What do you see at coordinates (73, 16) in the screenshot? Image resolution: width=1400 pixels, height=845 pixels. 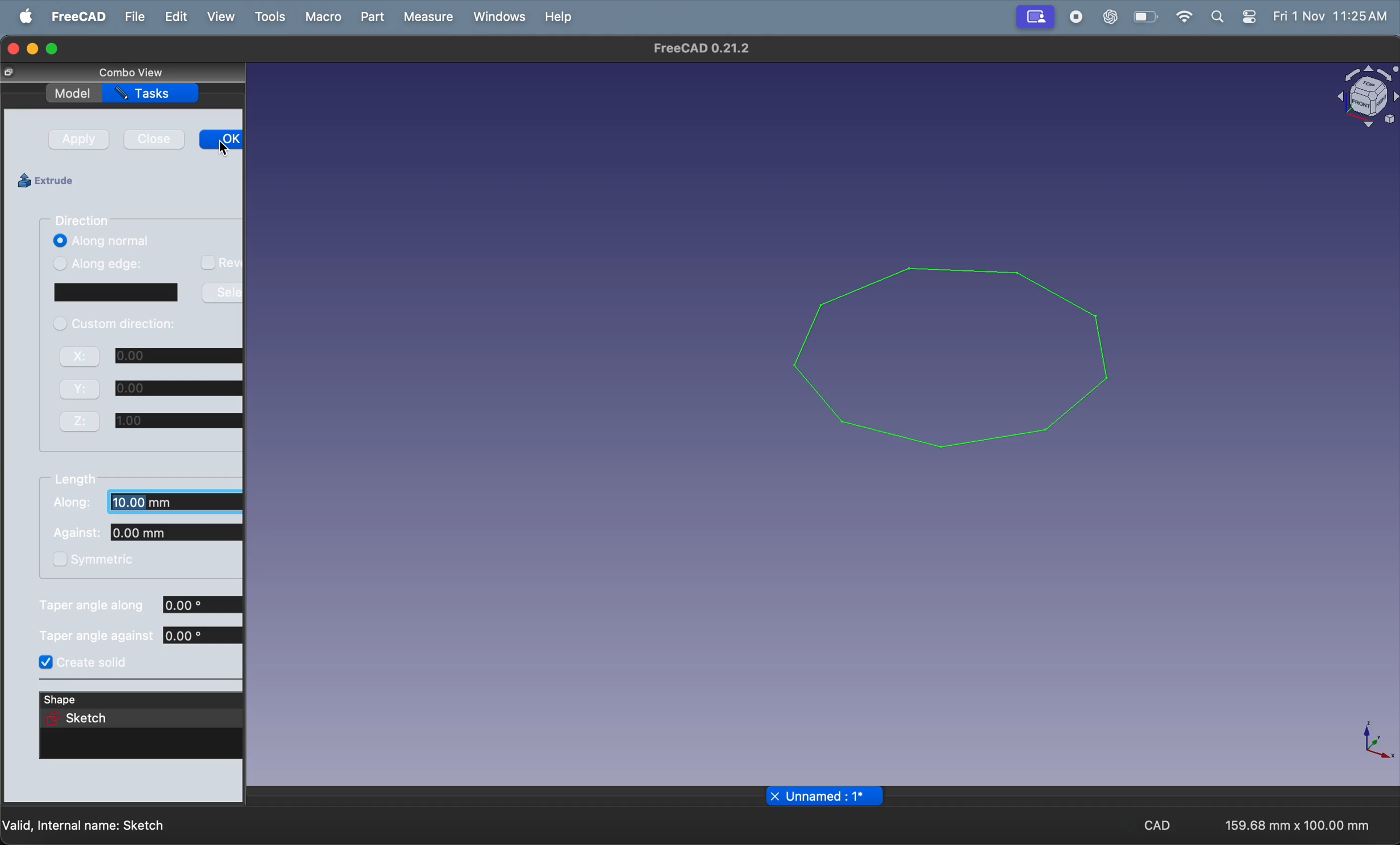 I see `free cad` at bounding box center [73, 16].